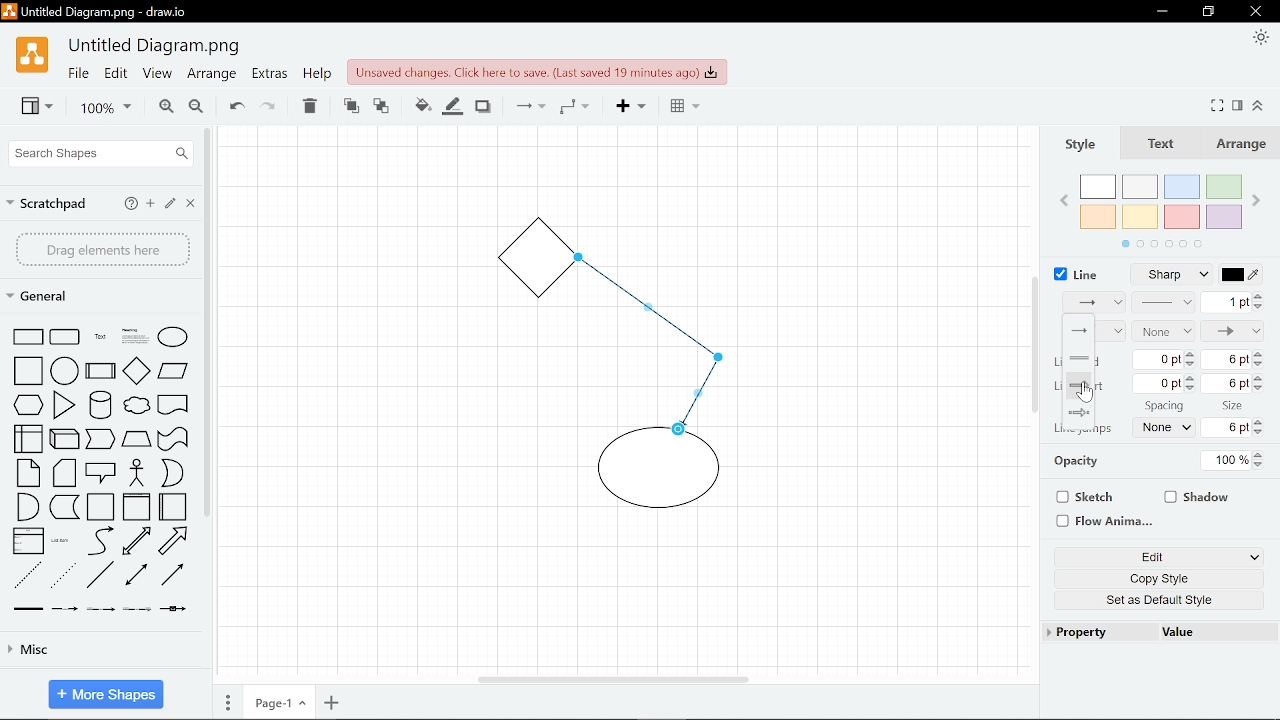  I want to click on close, so click(1254, 12).